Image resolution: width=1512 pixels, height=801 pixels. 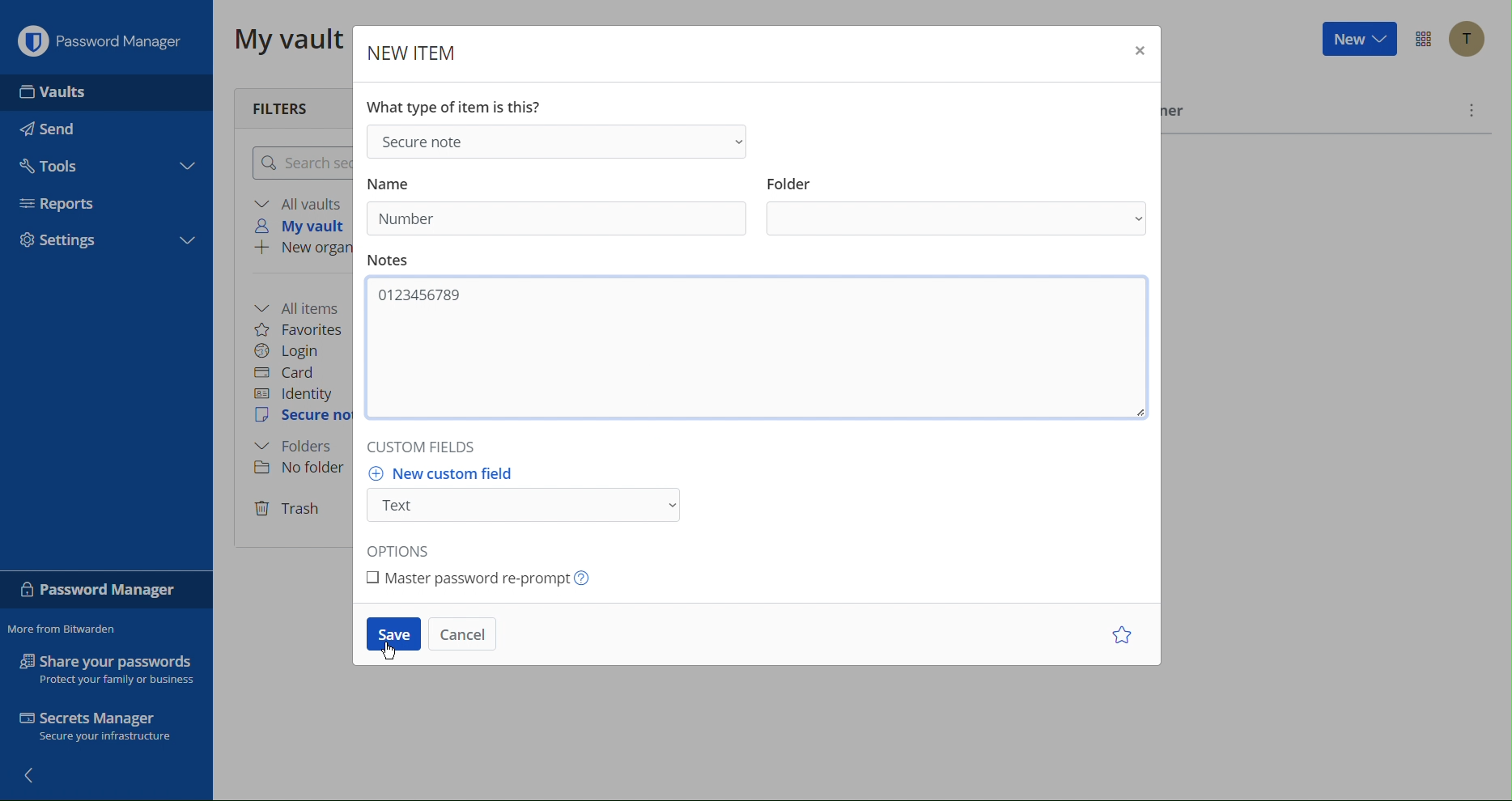 What do you see at coordinates (306, 227) in the screenshot?
I see `My vault` at bounding box center [306, 227].